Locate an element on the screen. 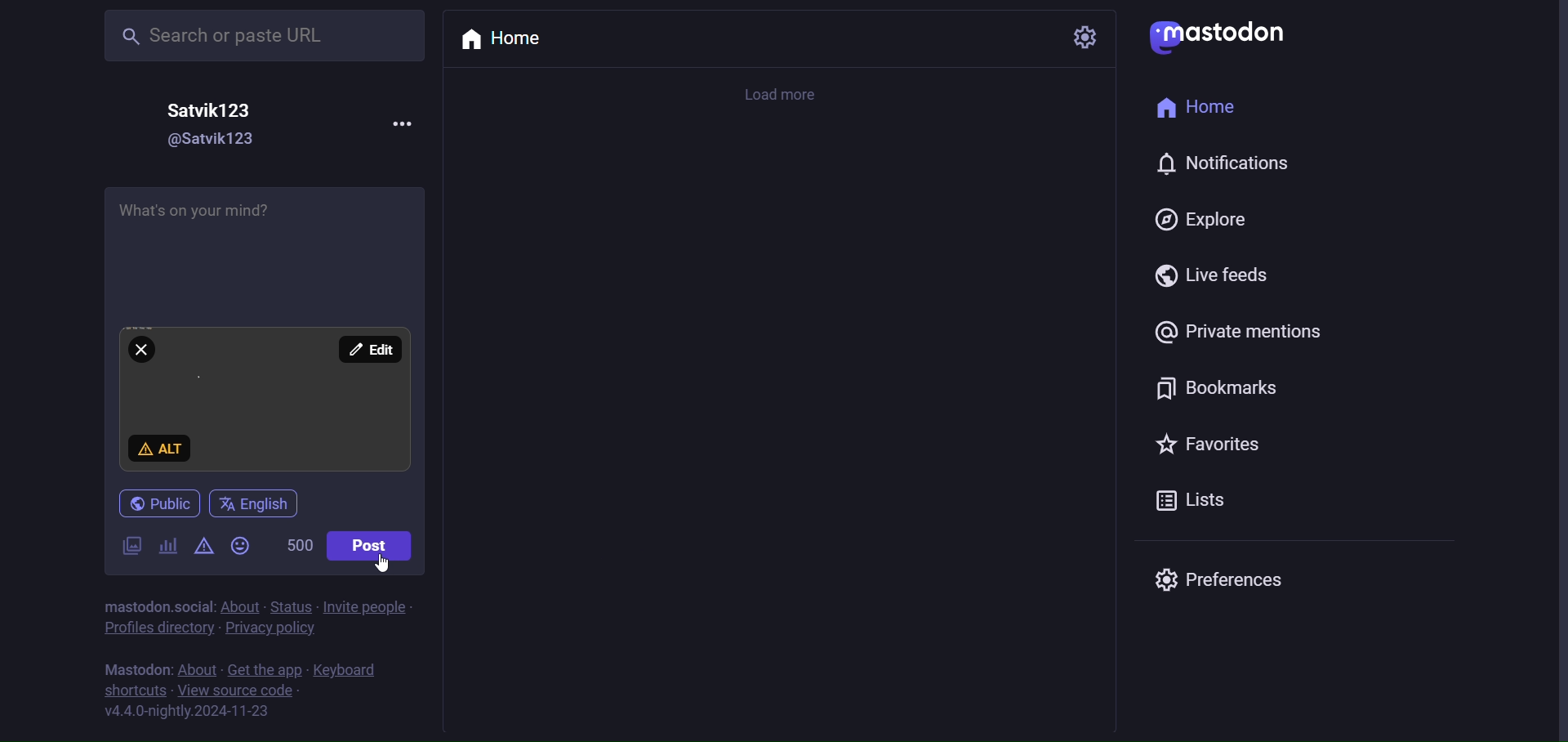 Image resolution: width=1568 pixels, height=742 pixels. keyboard is located at coordinates (344, 670).